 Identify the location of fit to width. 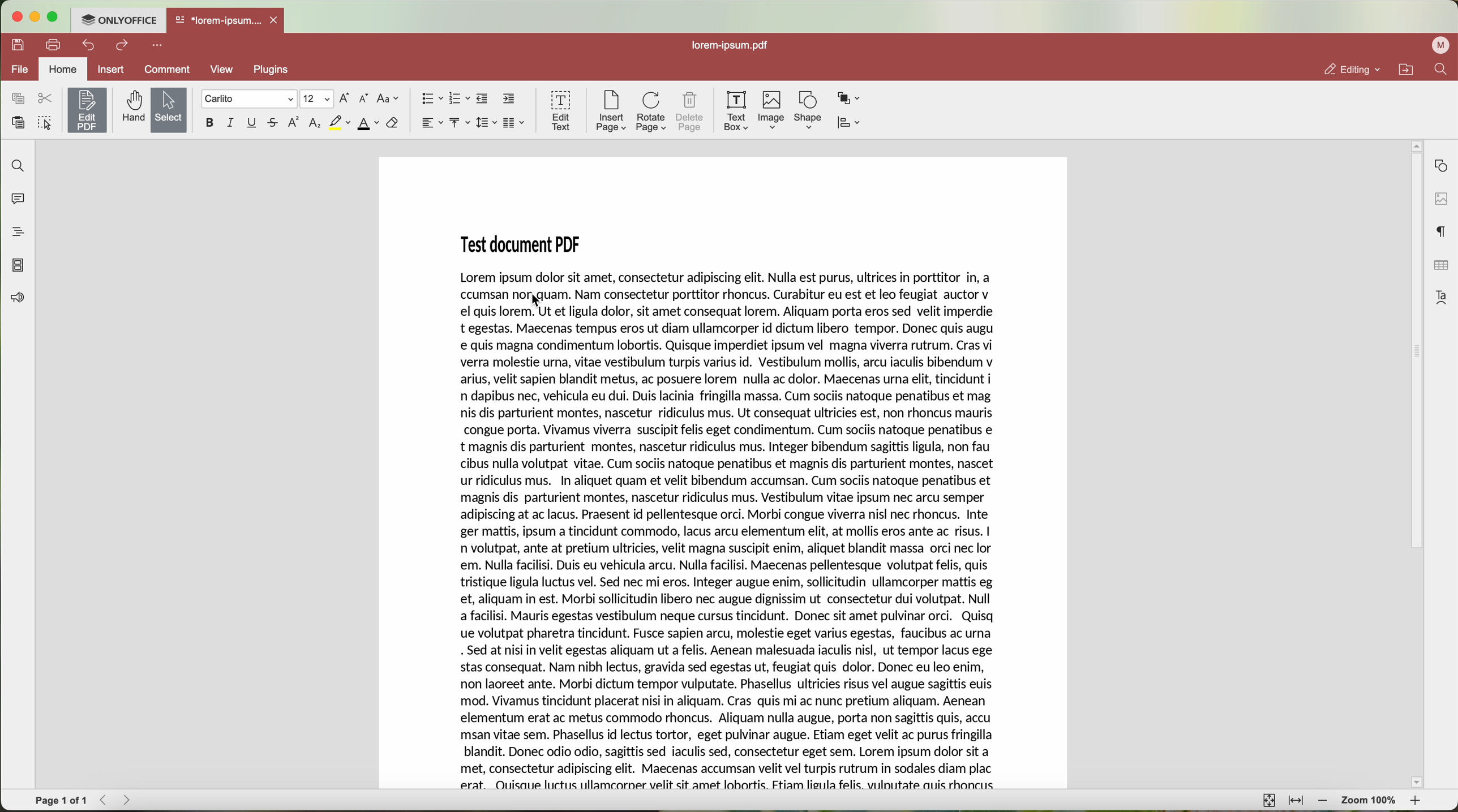
(1297, 801).